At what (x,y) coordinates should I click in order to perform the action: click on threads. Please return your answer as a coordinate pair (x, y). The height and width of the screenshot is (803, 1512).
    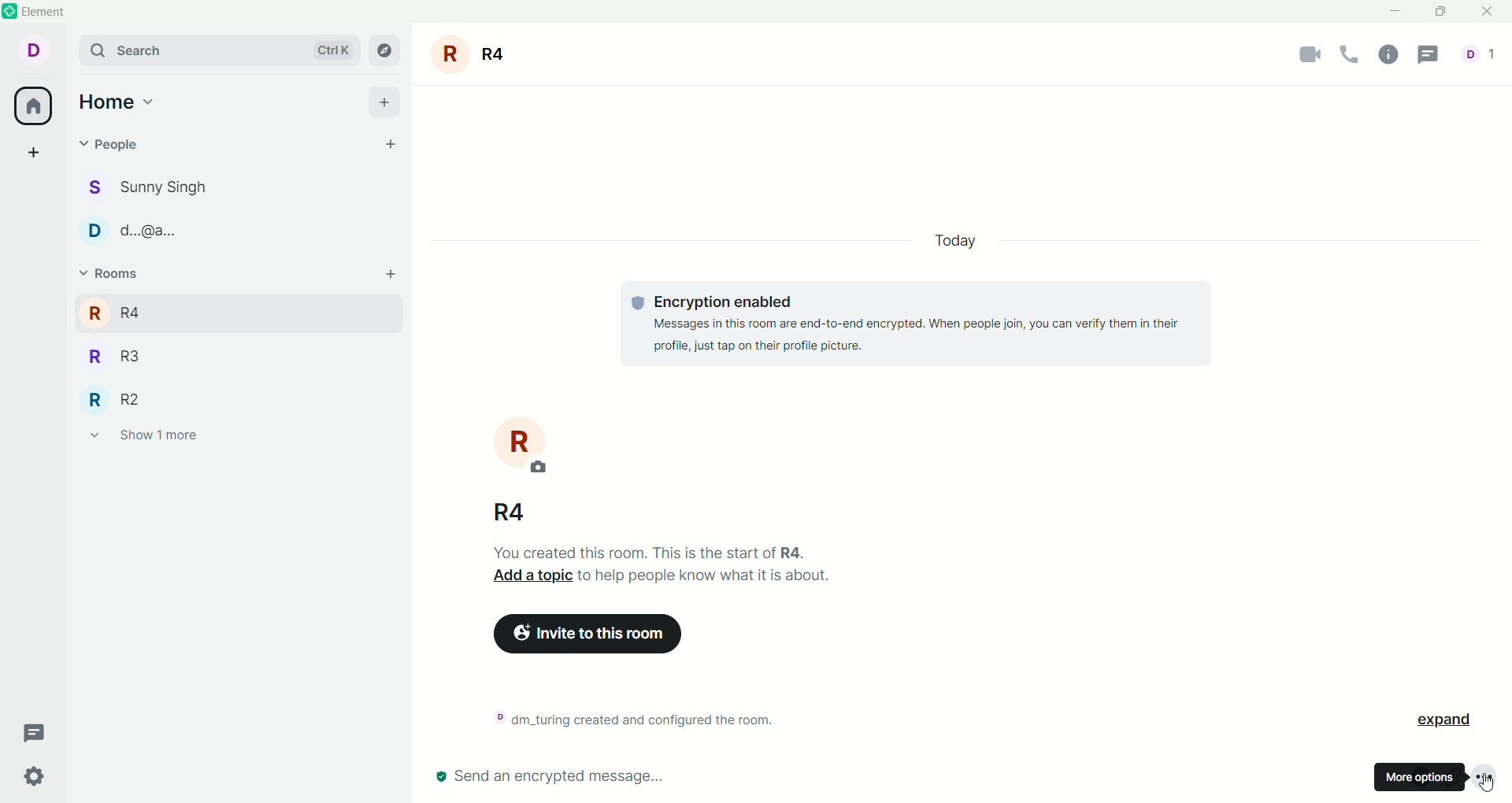
    Looking at the image, I should click on (1434, 55).